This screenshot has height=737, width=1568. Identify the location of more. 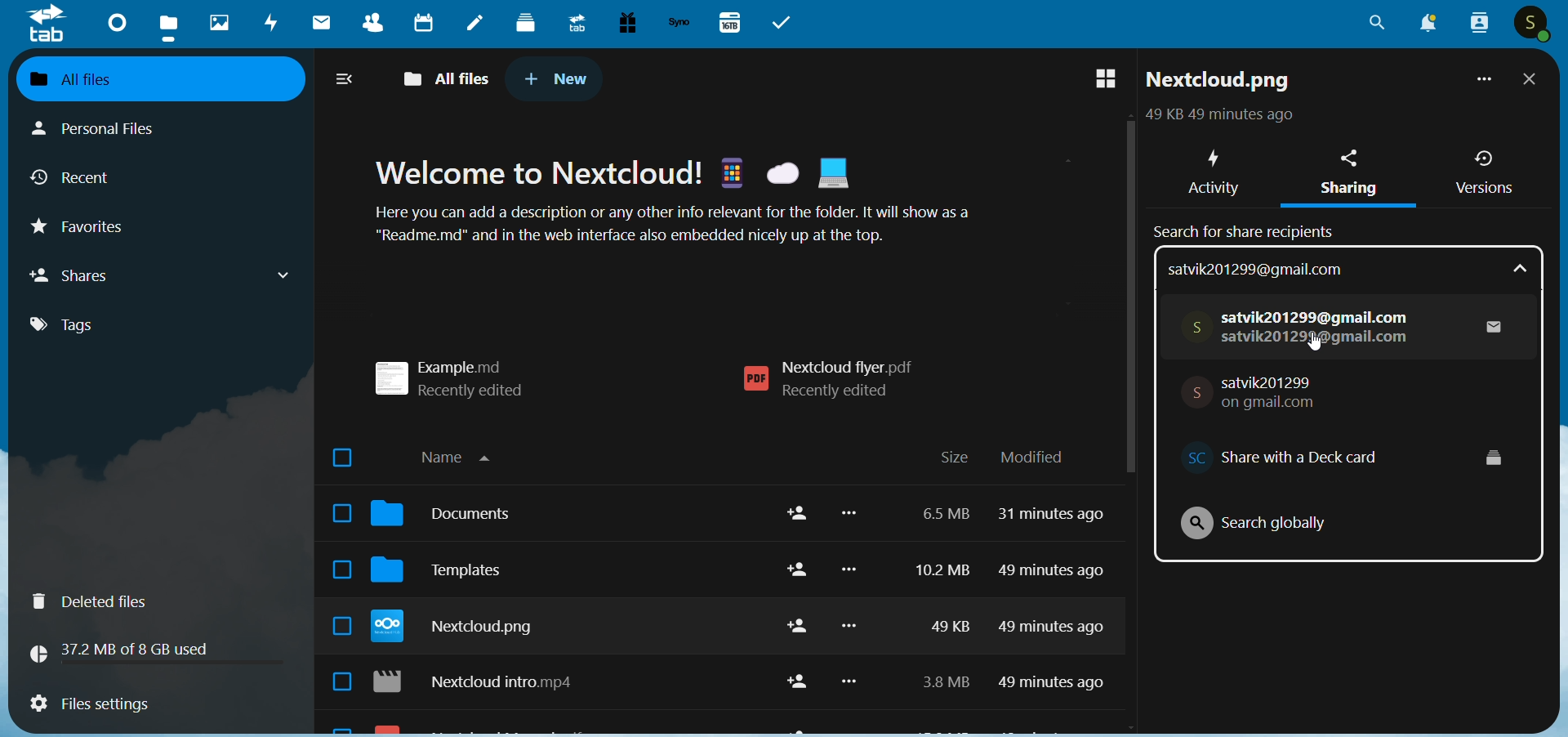
(1481, 83).